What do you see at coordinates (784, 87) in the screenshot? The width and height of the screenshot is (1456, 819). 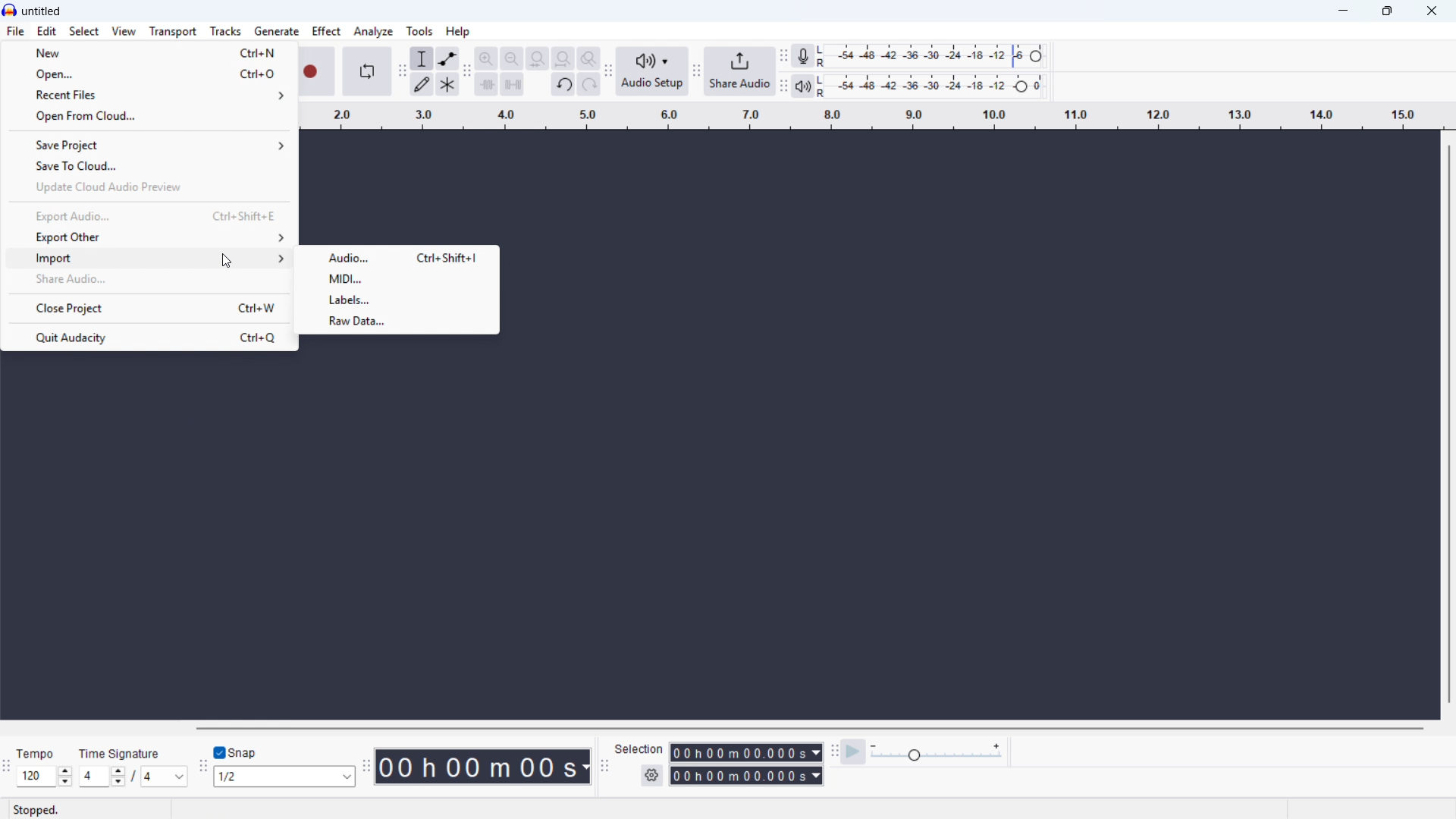 I see `Playback metre toolbar ` at bounding box center [784, 87].